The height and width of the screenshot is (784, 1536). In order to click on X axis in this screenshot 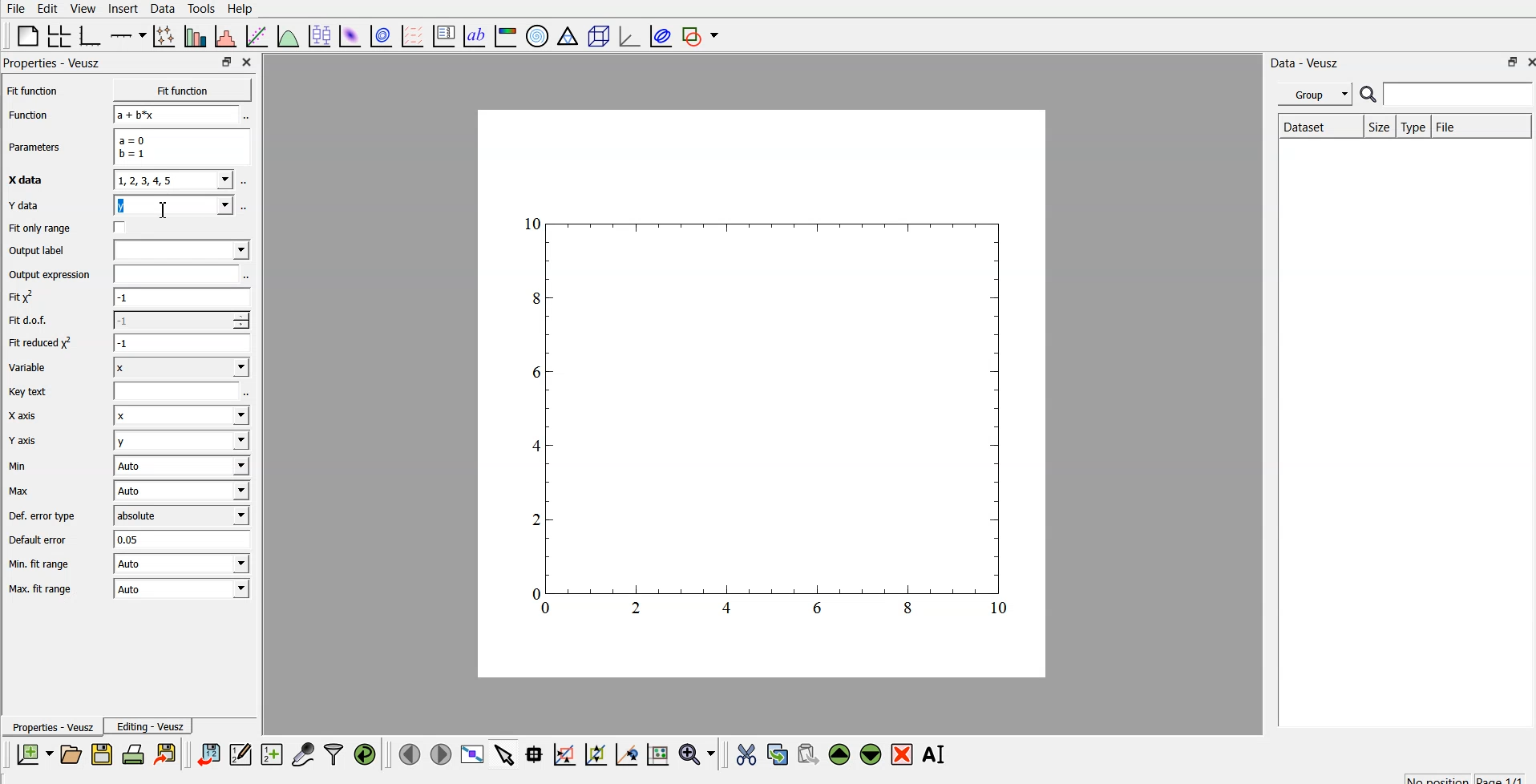, I will do `click(38, 417)`.